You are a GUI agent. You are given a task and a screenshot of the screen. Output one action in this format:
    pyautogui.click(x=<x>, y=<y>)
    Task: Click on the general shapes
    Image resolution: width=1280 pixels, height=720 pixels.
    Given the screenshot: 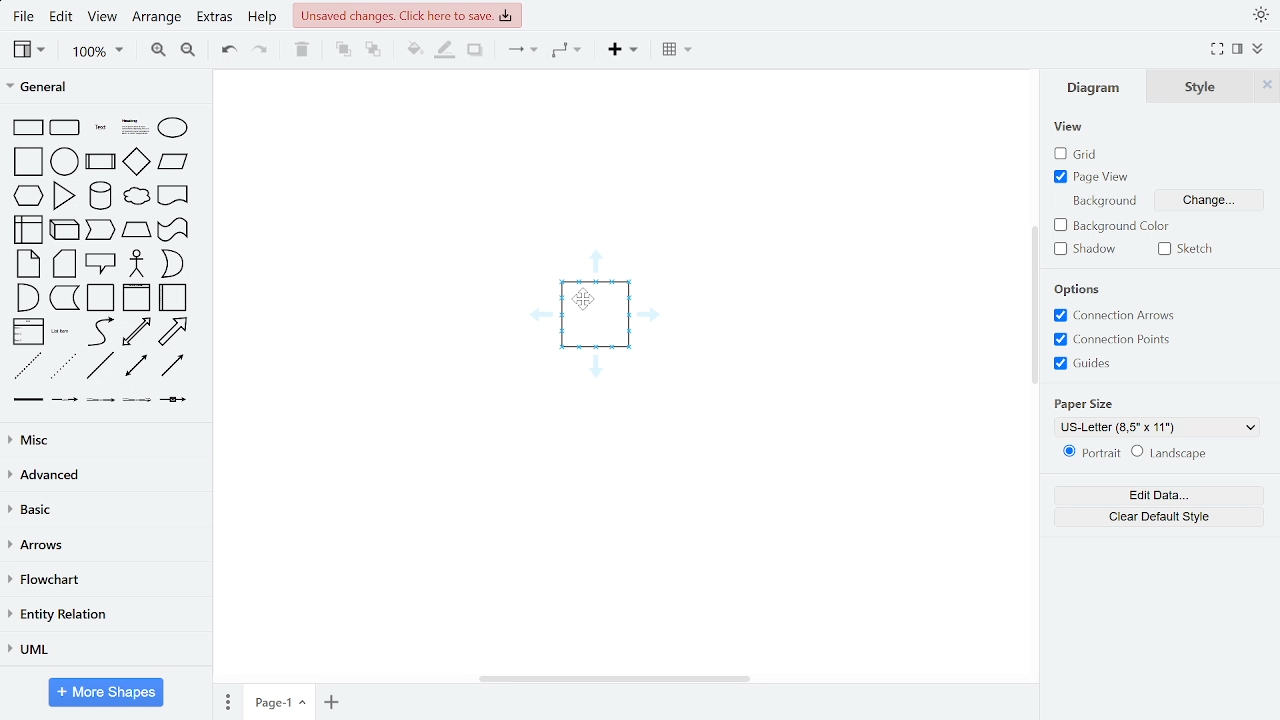 What is the action you would take?
    pyautogui.click(x=171, y=126)
    